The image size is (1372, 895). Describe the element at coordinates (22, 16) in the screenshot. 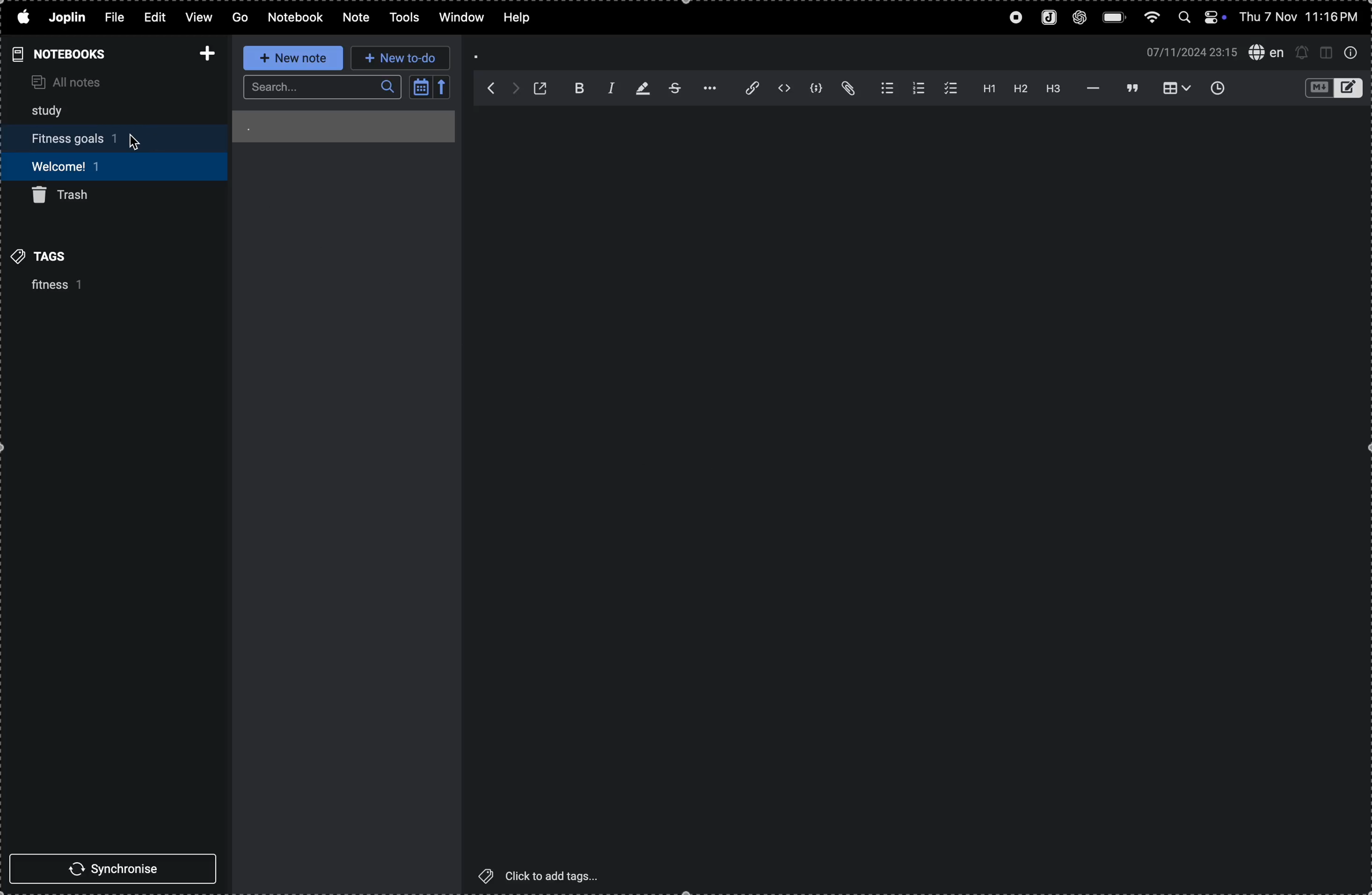

I see `apple logo` at that location.